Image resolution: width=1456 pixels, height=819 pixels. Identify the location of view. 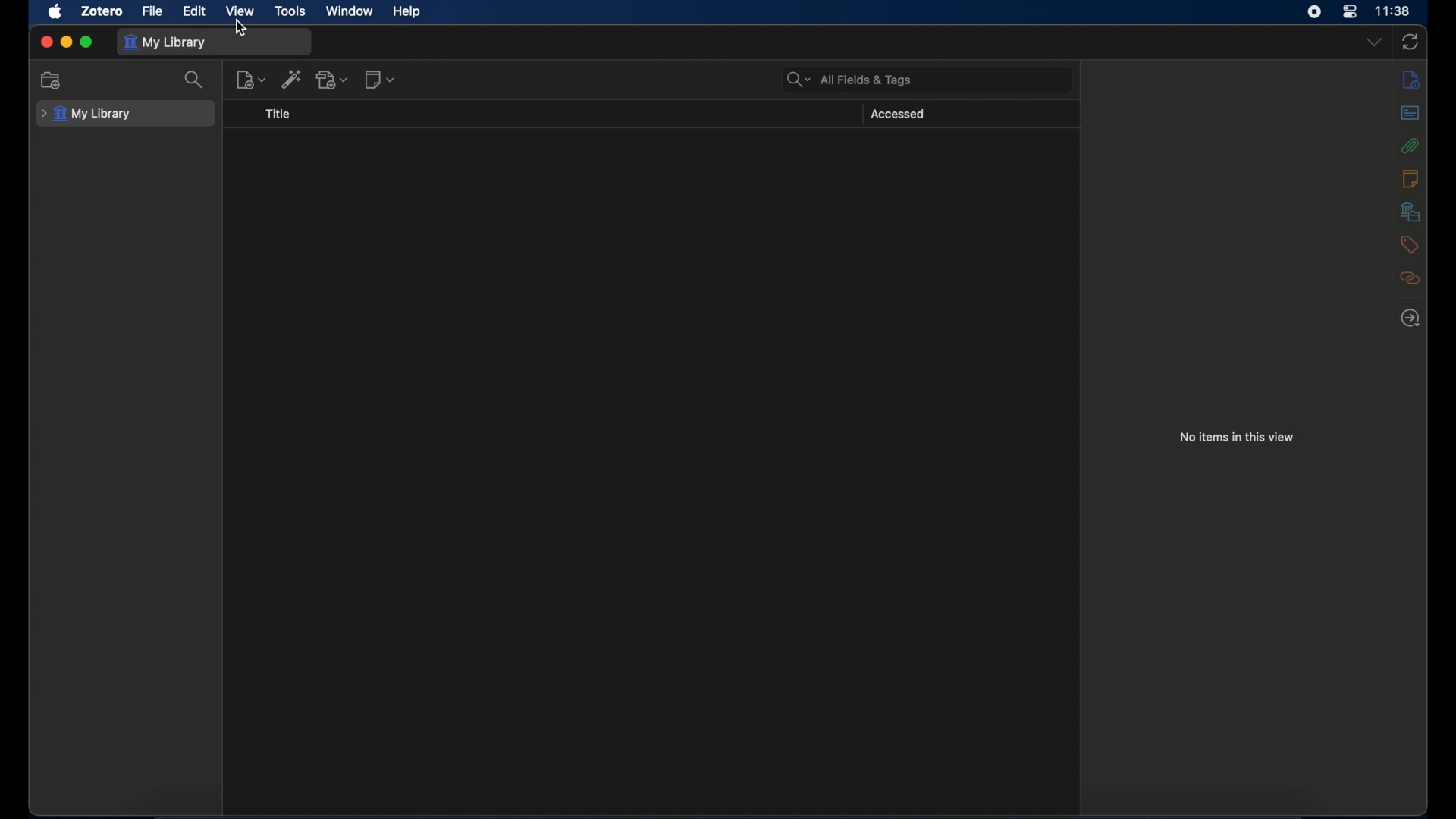
(240, 11).